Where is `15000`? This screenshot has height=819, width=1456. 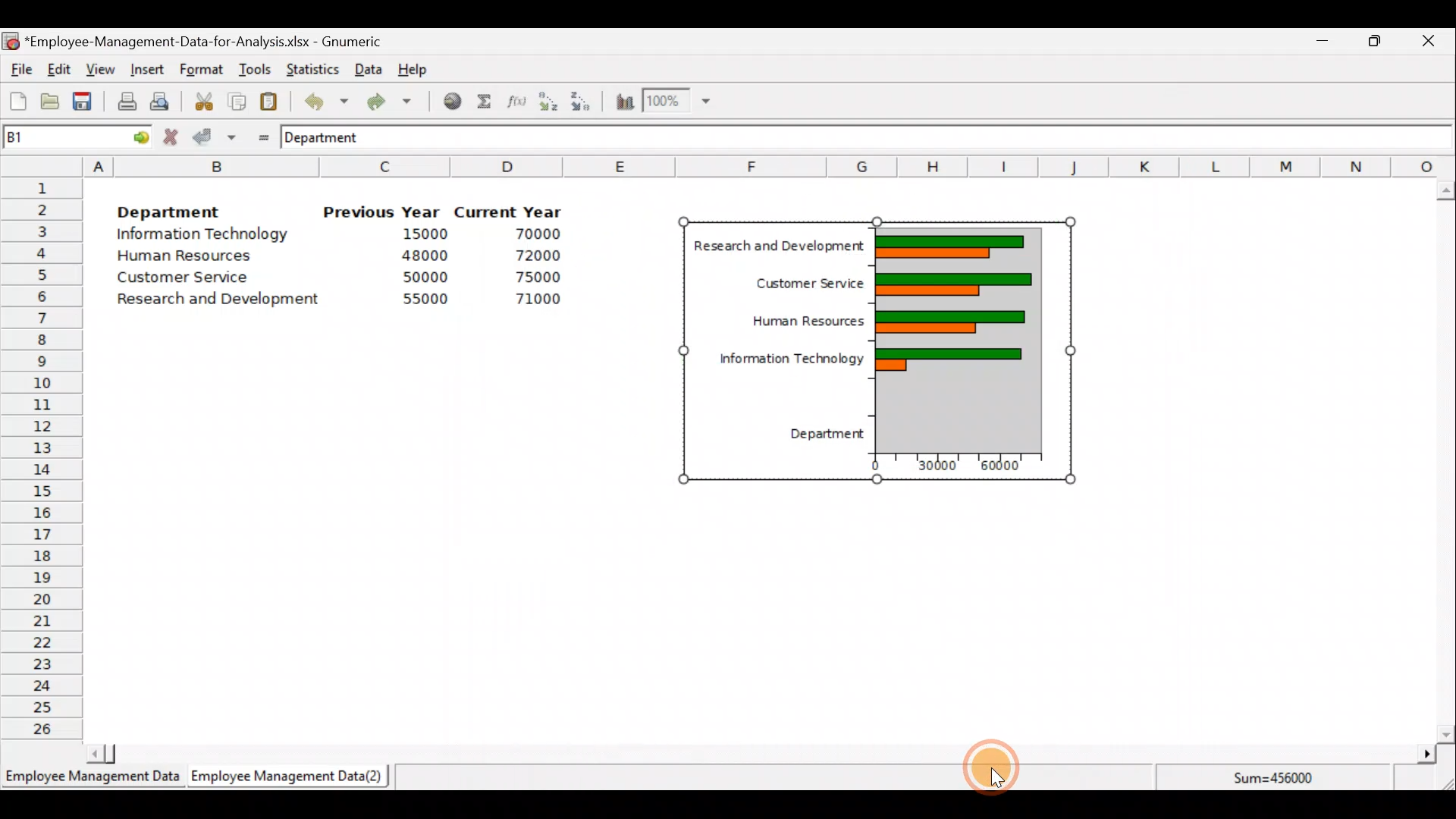
15000 is located at coordinates (419, 233).